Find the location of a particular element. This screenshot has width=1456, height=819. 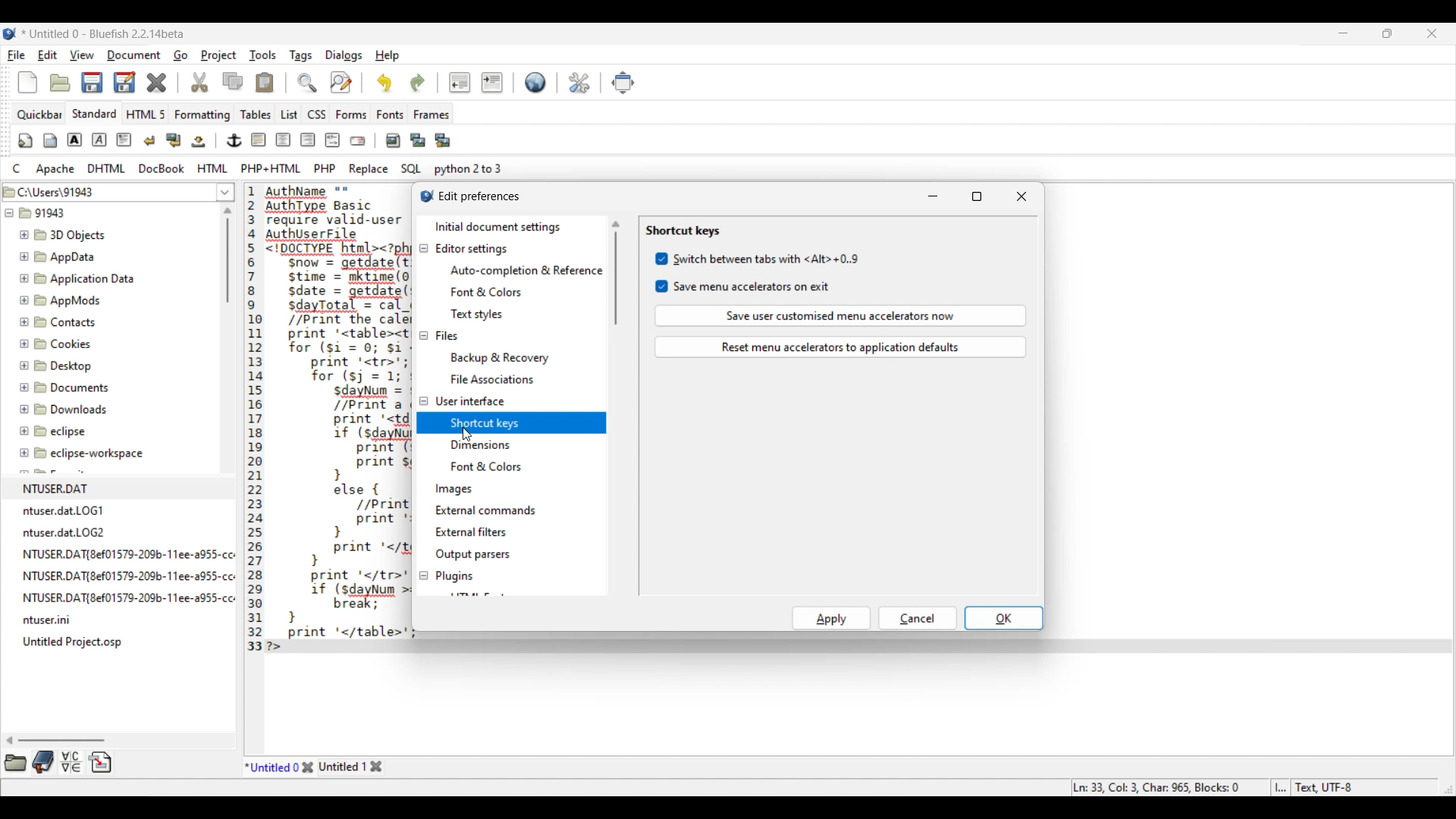

OK is located at coordinates (1003, 618).